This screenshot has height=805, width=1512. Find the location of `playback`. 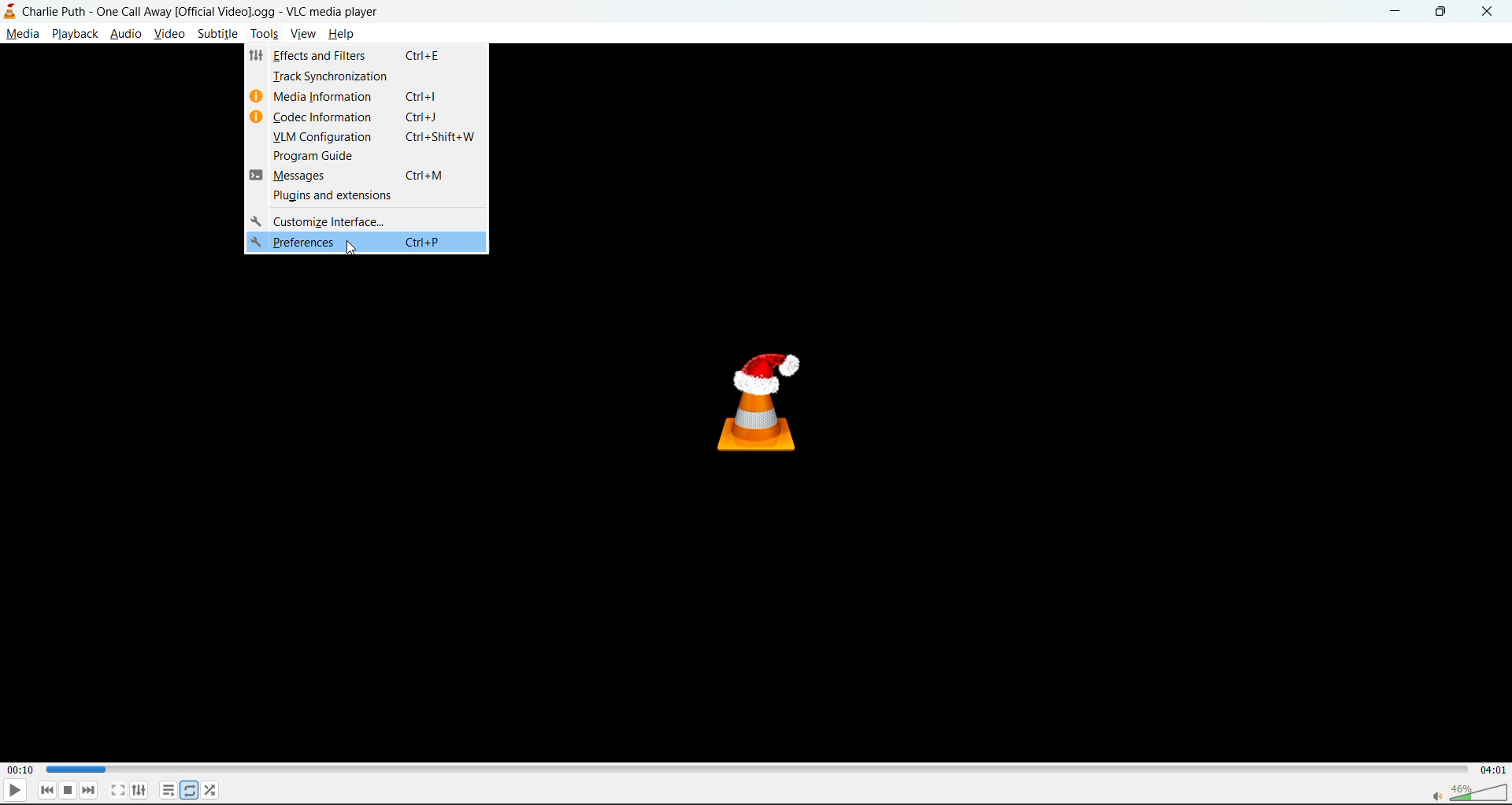

playback is located at coordinates (74, 35).